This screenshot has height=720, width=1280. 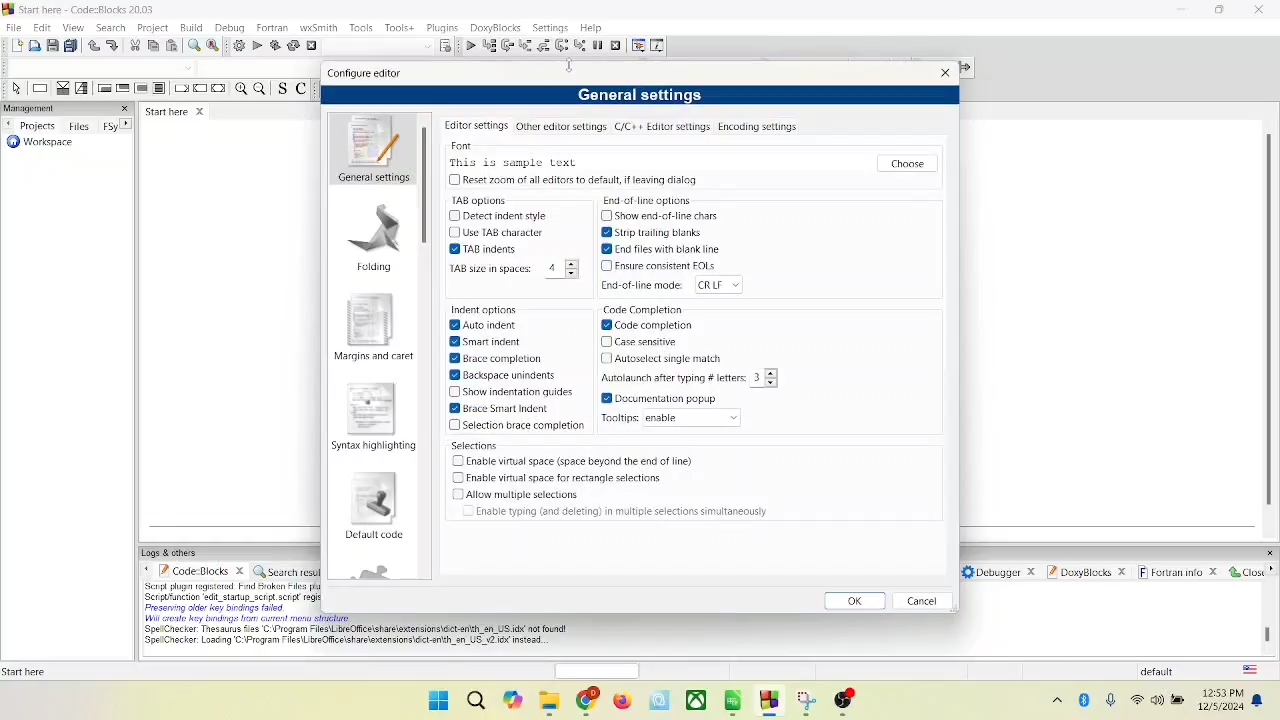 I want to click on exit condition loop, so click(x=123, y=88).